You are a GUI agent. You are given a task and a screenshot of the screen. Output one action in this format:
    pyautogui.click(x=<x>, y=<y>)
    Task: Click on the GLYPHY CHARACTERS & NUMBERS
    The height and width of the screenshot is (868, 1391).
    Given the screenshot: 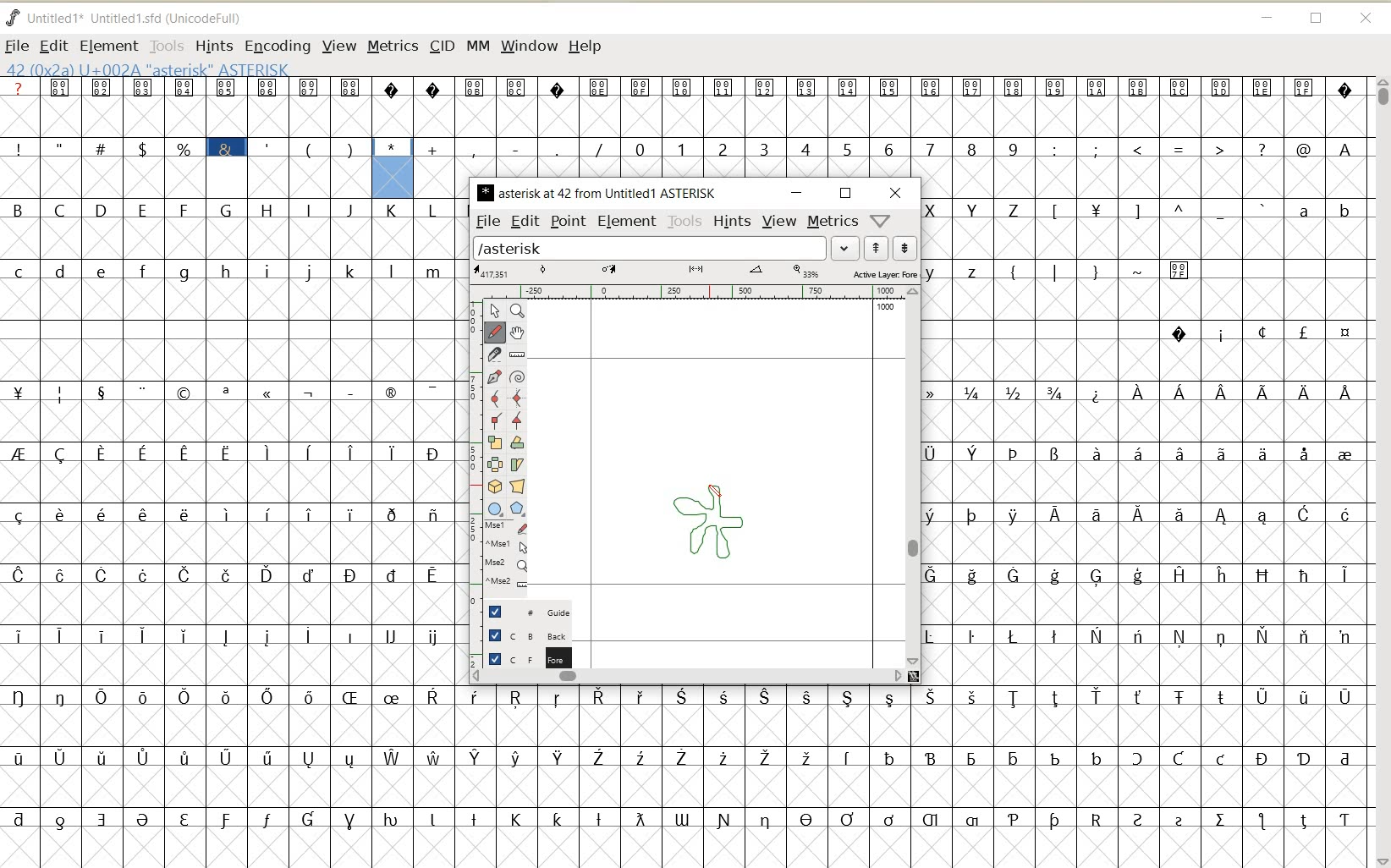 What is the action you would take?
    pyautogui.click(x=1145, y=470)
    